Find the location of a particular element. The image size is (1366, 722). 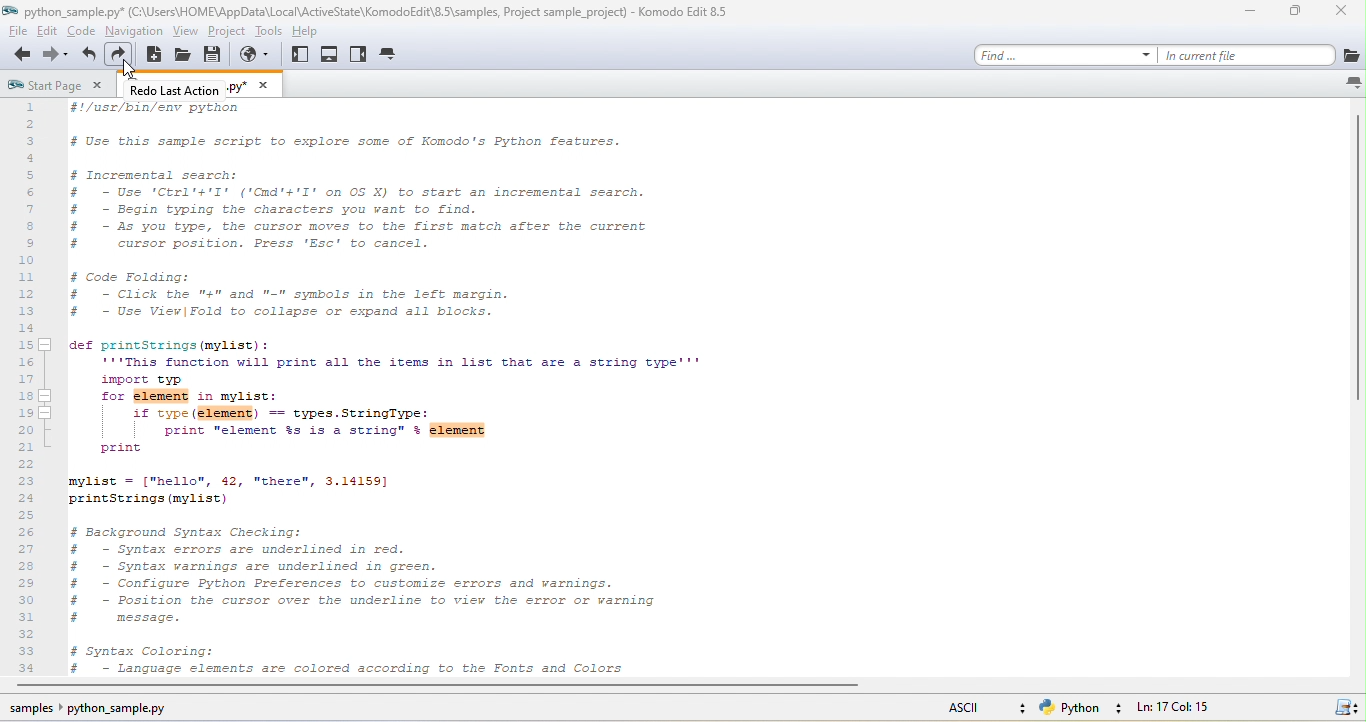

show /hide left pane is located at coordinates (301, 57).